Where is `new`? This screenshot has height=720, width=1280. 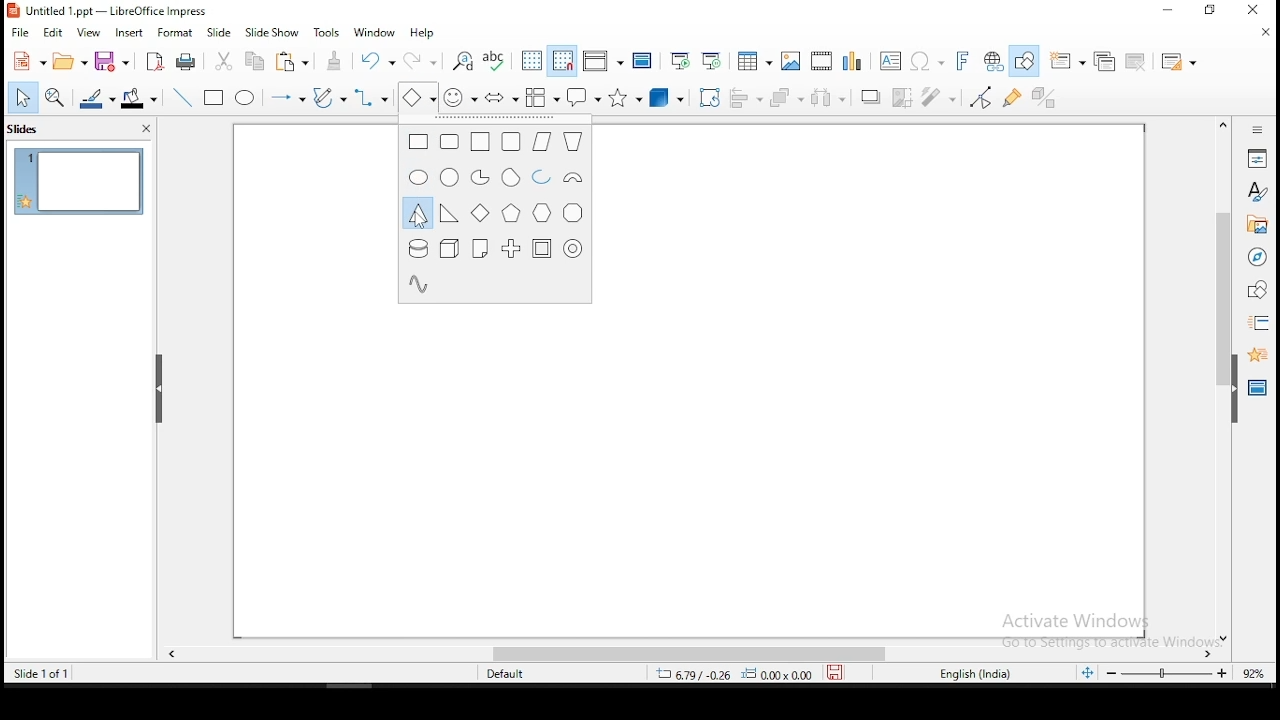 new is located at coordinates (28, 61).